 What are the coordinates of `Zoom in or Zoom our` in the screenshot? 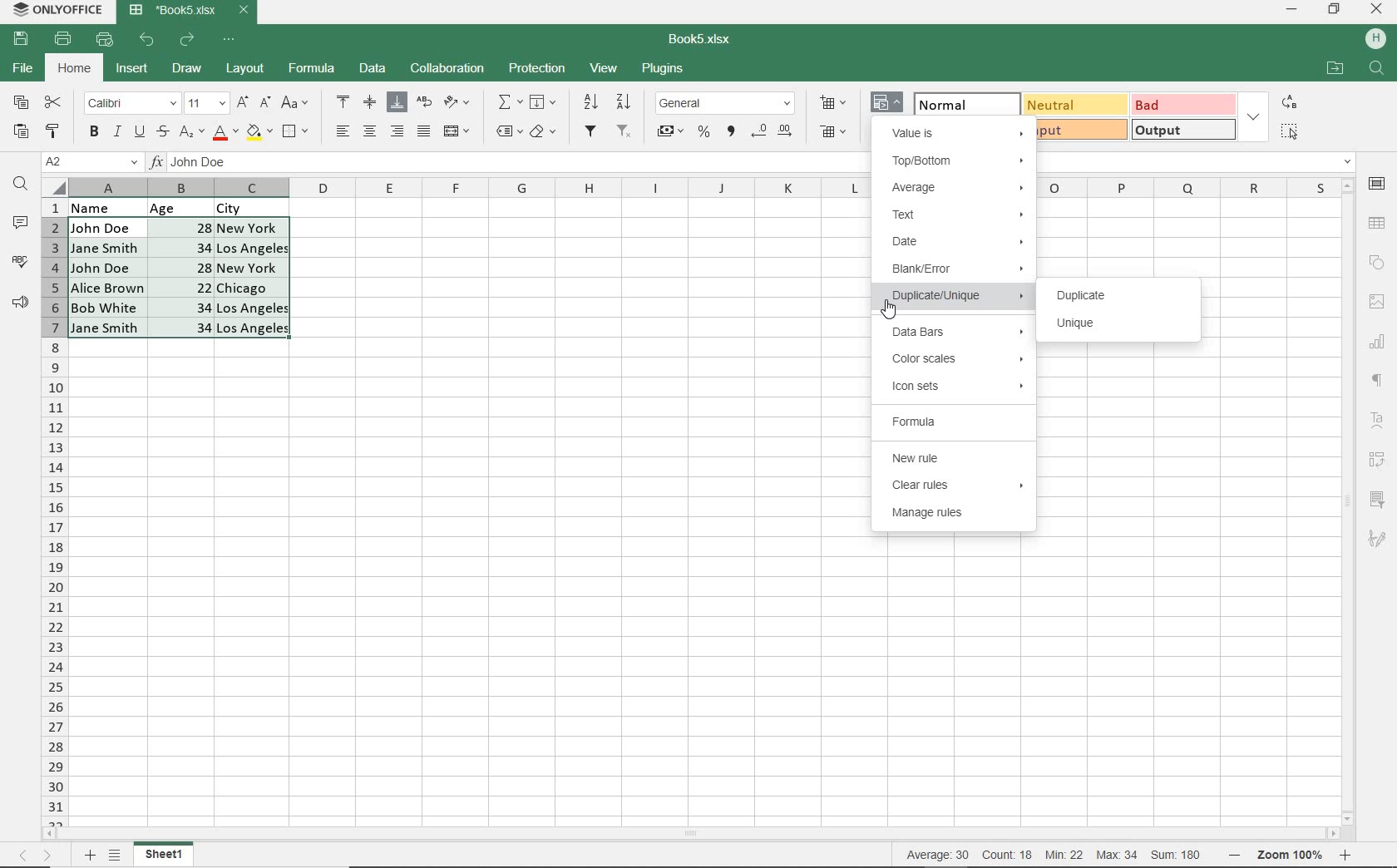 It's located at (1295, 855).